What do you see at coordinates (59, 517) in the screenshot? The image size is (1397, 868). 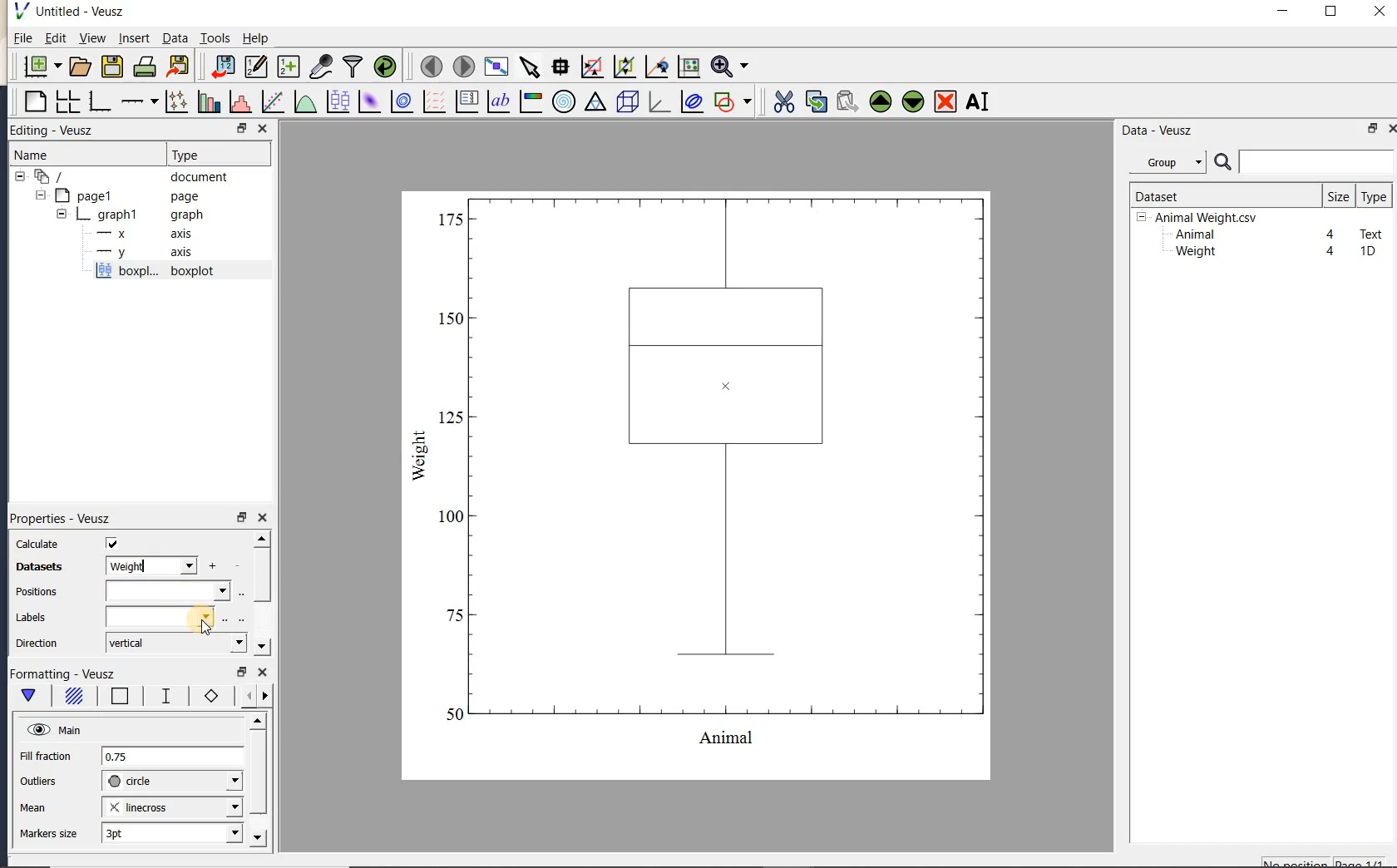 I see `Properties - Veusz` at bounding box center [59, 517].